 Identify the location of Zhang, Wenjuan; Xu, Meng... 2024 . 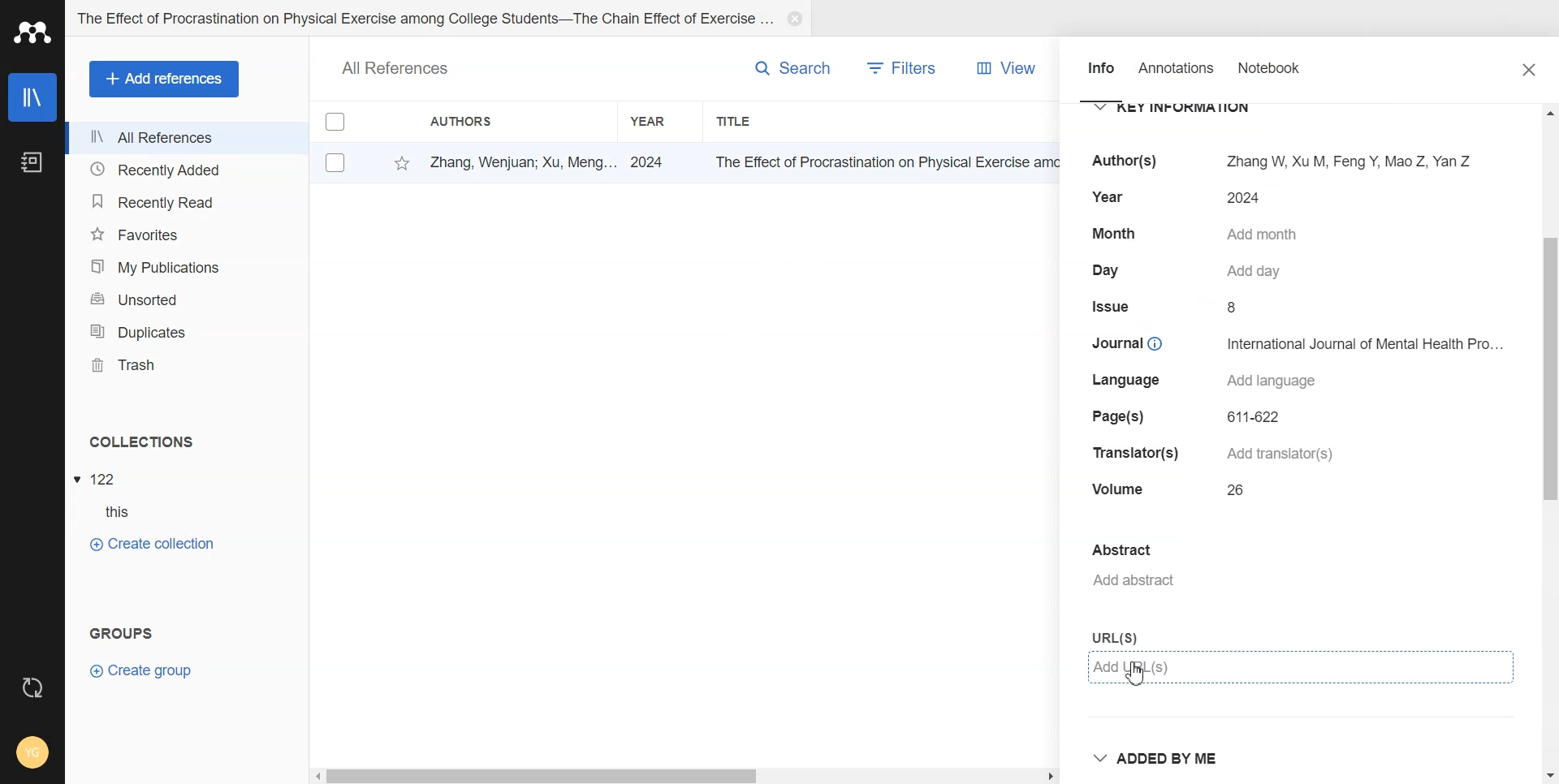
(520, 163).